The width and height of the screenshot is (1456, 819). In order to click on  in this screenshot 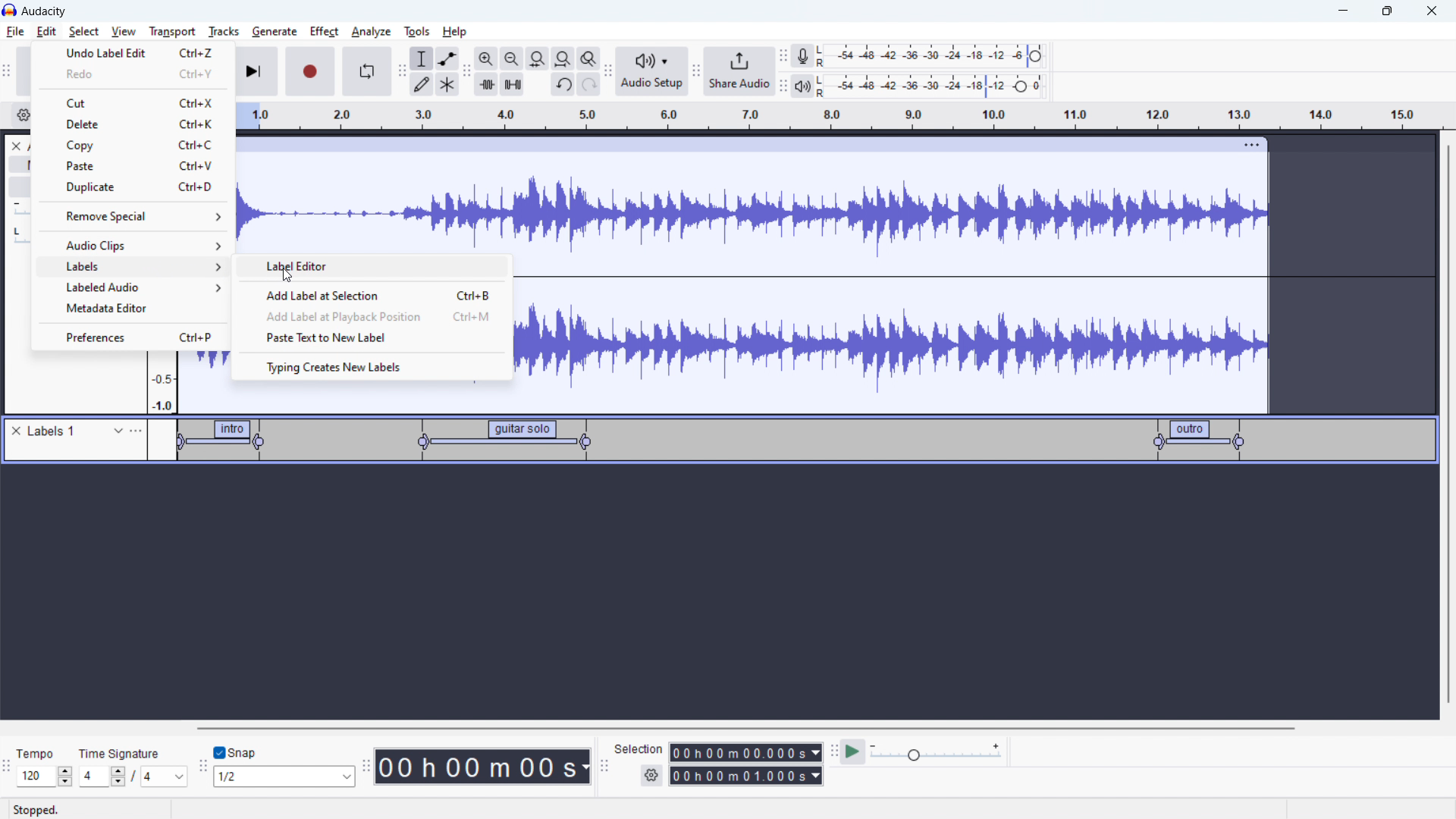, I will do `click(823, 86)`.